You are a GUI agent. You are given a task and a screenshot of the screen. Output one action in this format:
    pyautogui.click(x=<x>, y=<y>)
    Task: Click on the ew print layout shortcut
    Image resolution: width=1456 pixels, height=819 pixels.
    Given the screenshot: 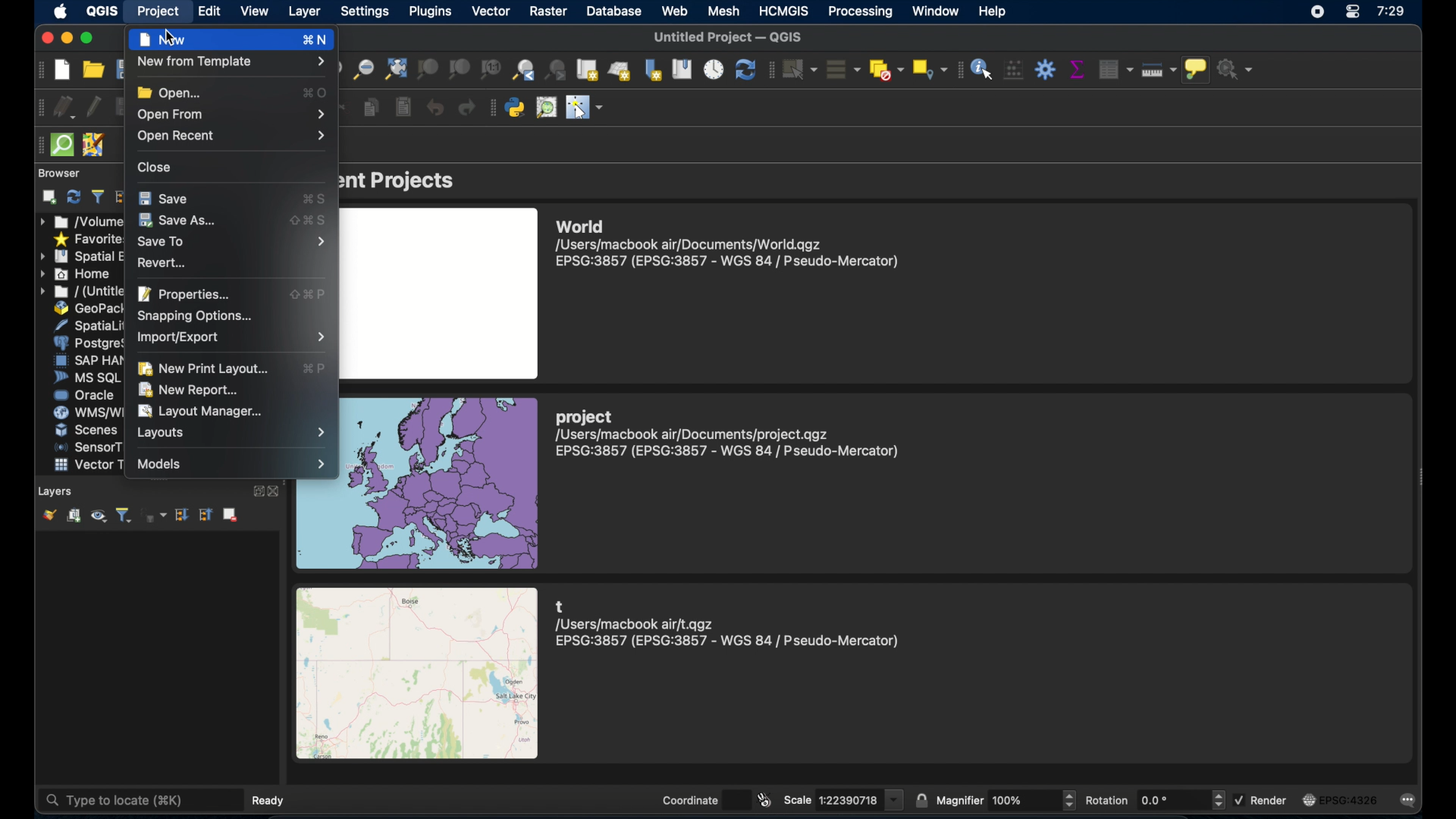 What is the action you would take?
    pyautogui.click(x=316, y=366)
    